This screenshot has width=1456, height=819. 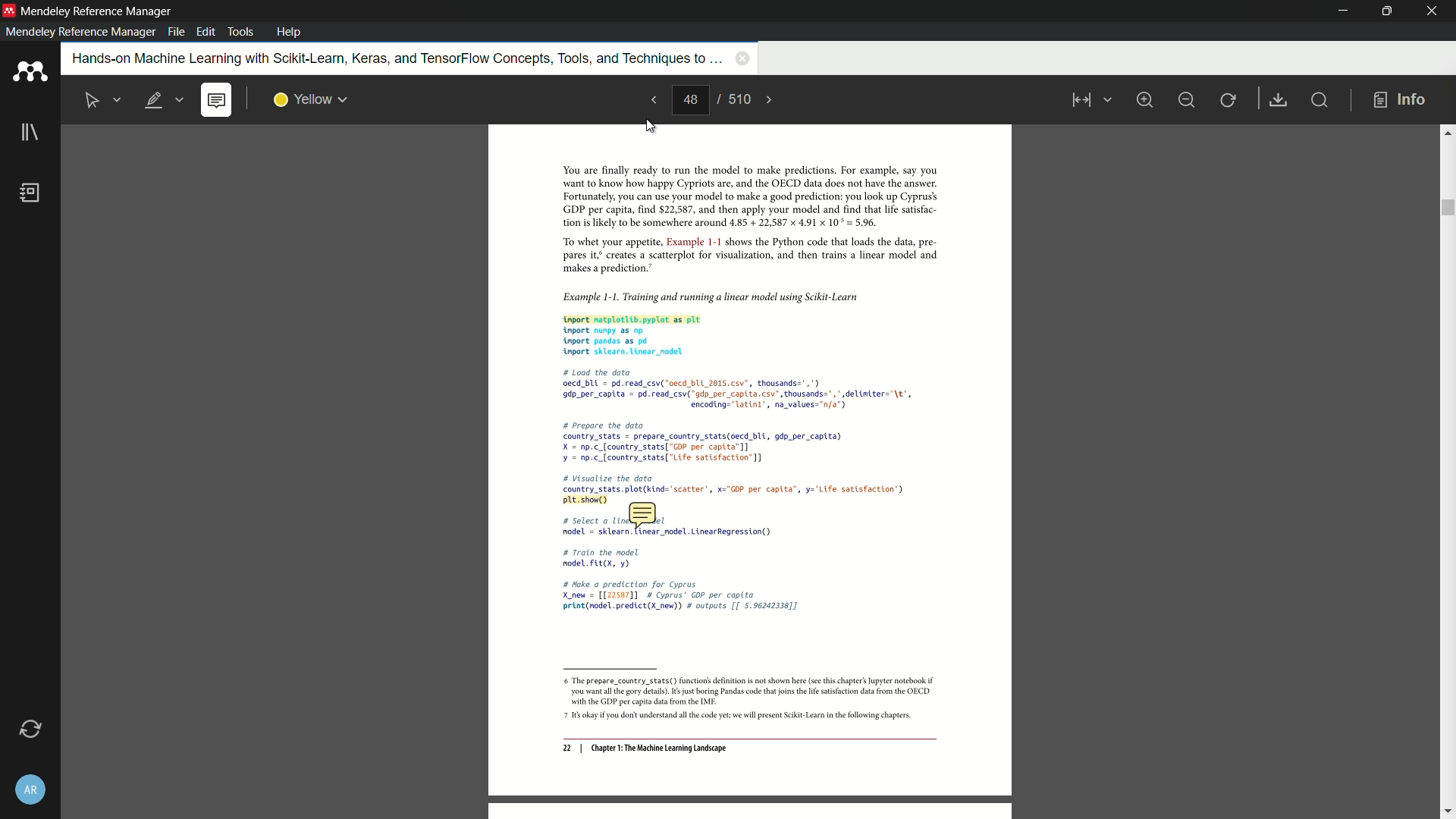 I want to click on app icon, so click(x=30, y=72).